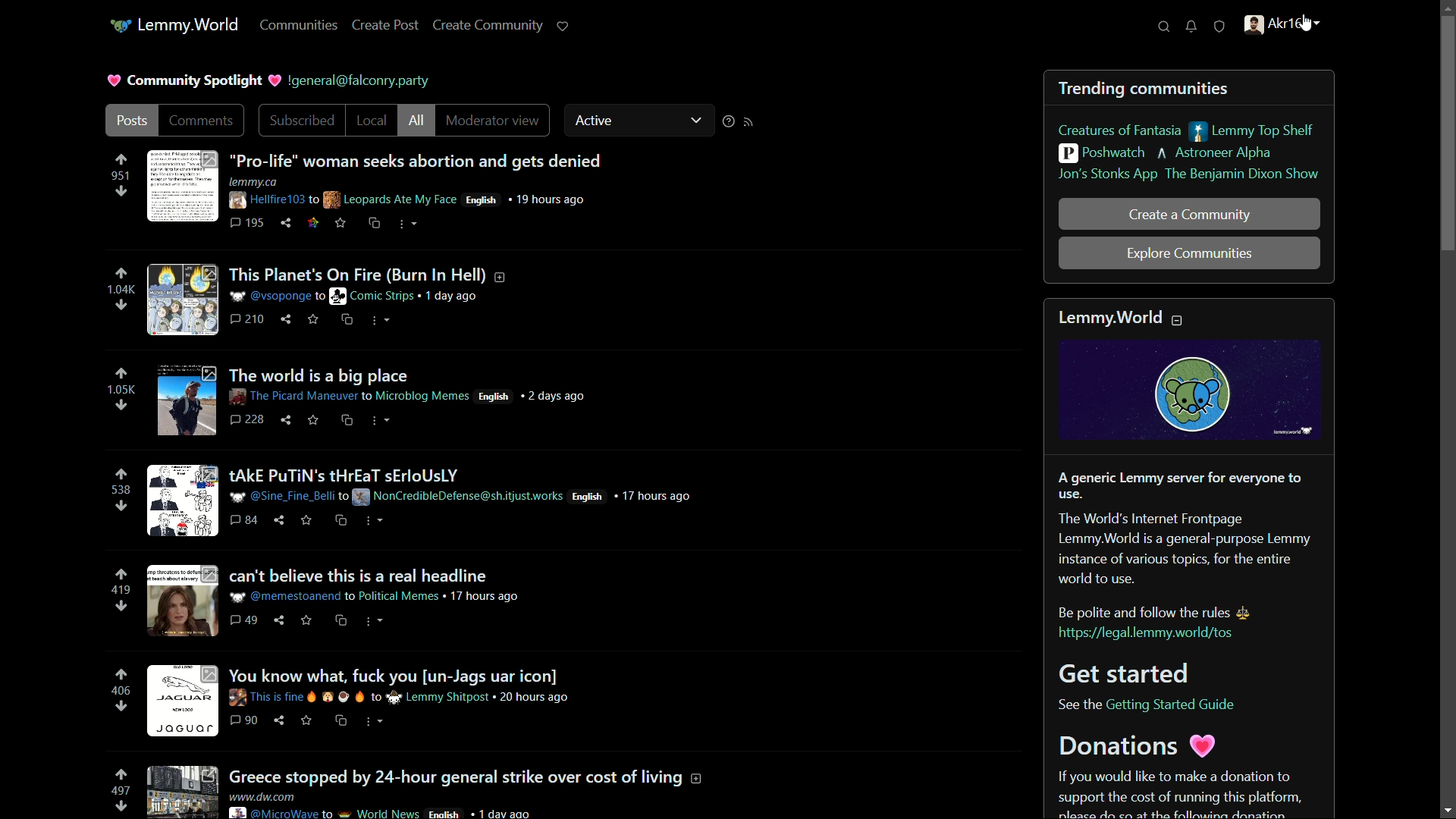 The height and width of the screenshot is (819, 1456). I want to click on number of votes, so click(120, 590).